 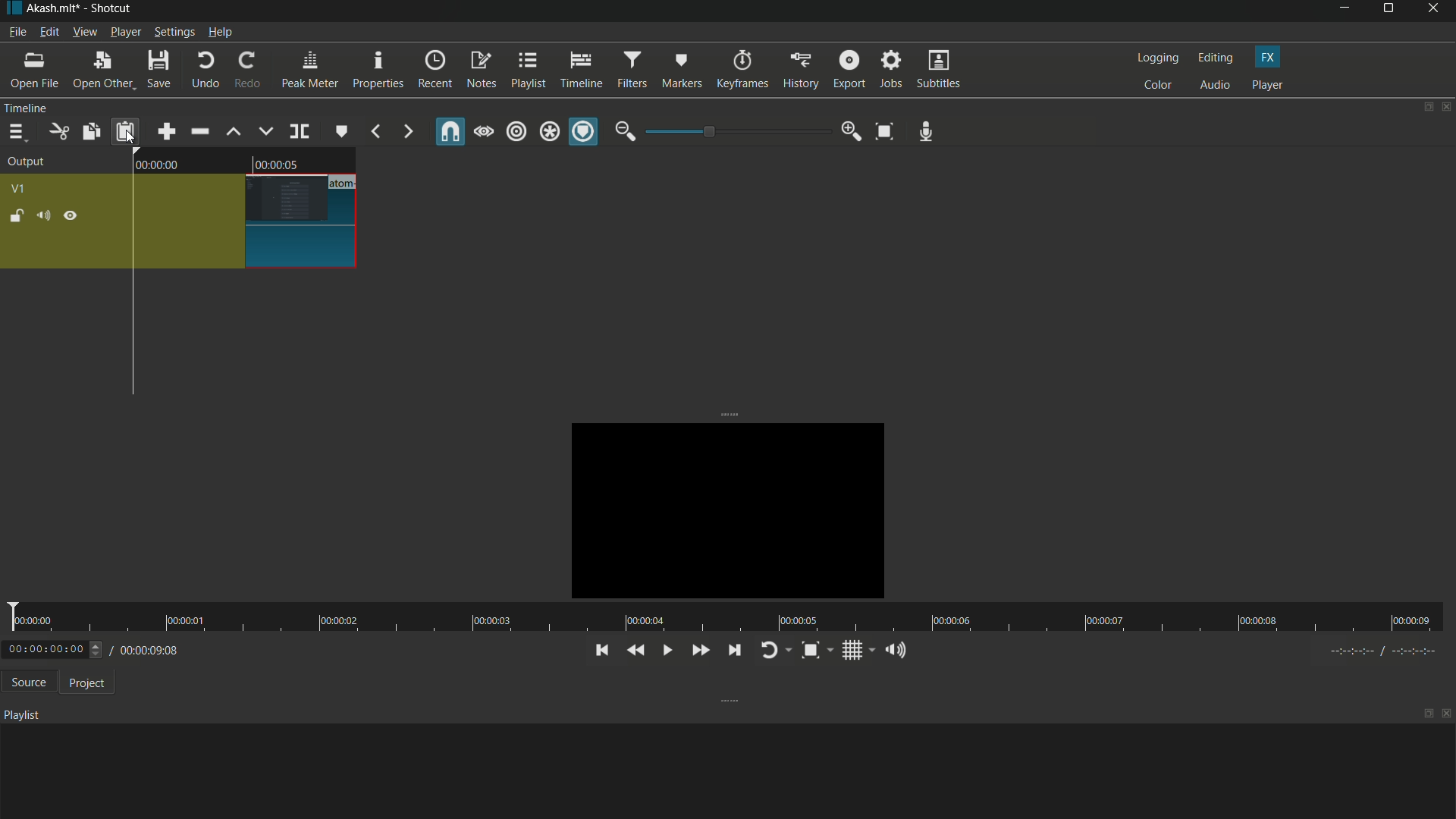 What do you see at coordinates (452, 131) in the screenshot?
I see `snap` at bounding box center [452, 131].